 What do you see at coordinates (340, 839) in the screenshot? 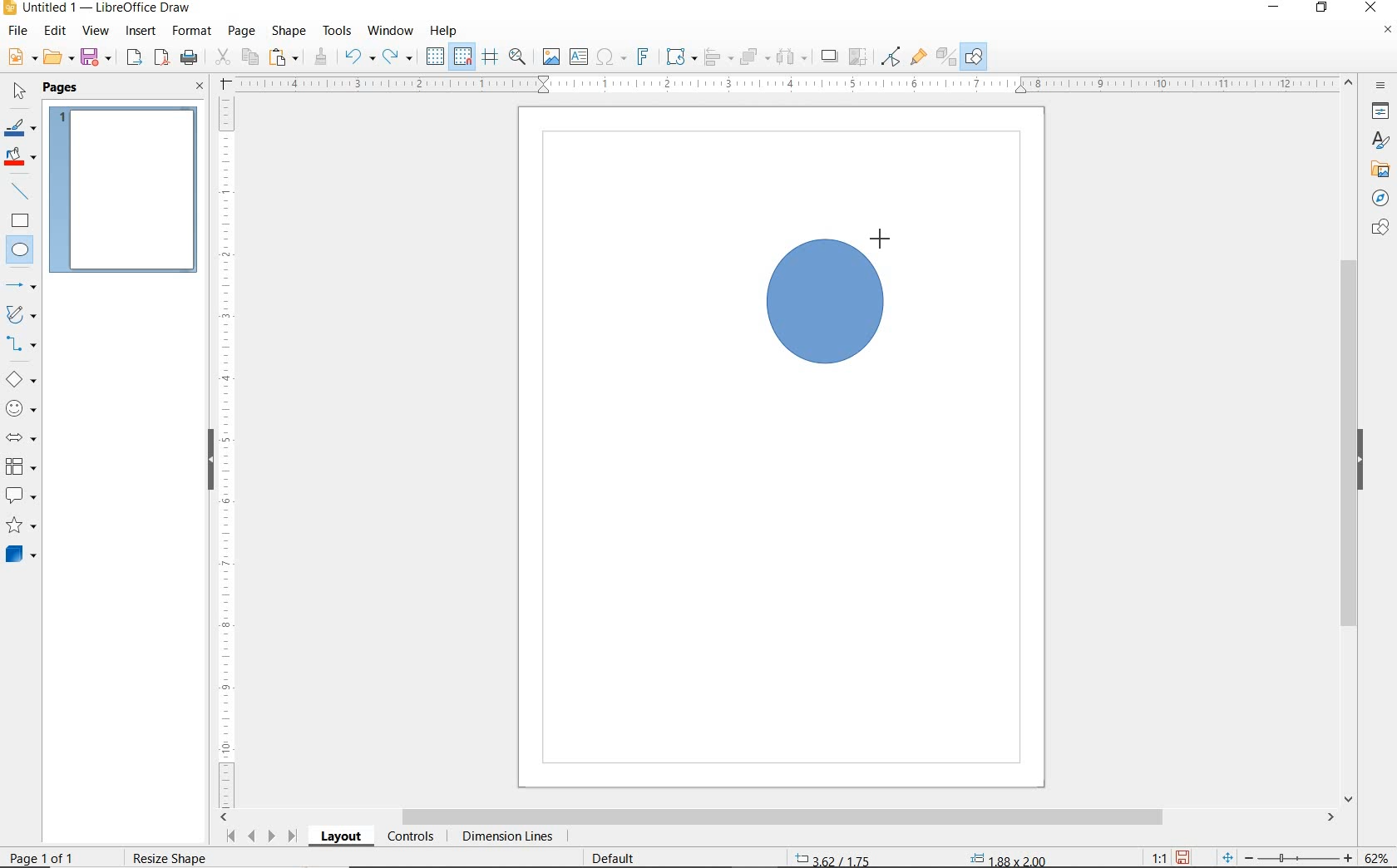
I see `LAYOUT` at bounding box center [340, 839].